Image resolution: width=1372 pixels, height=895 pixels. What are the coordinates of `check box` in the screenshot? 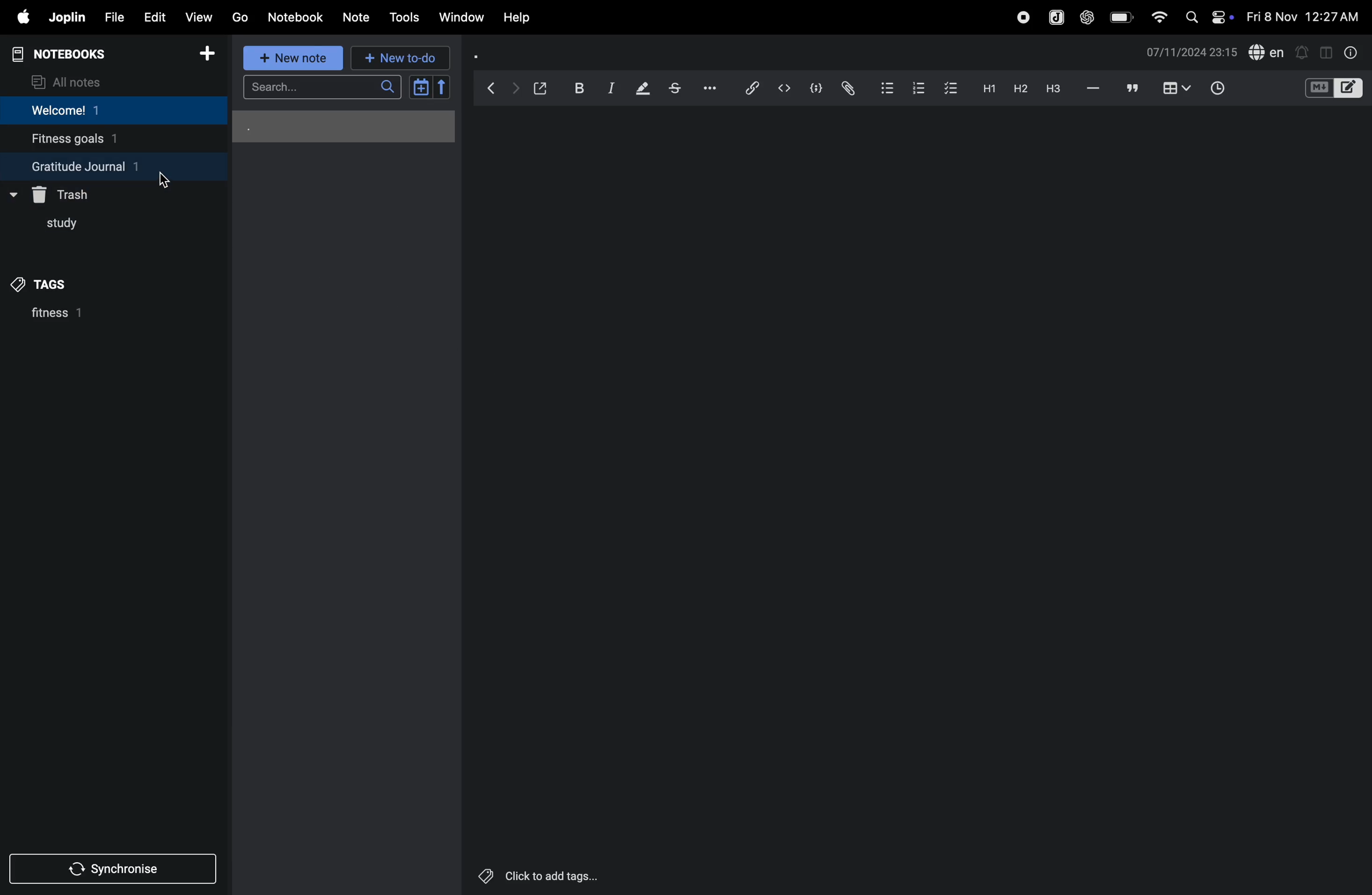 It's located at (948, 88).